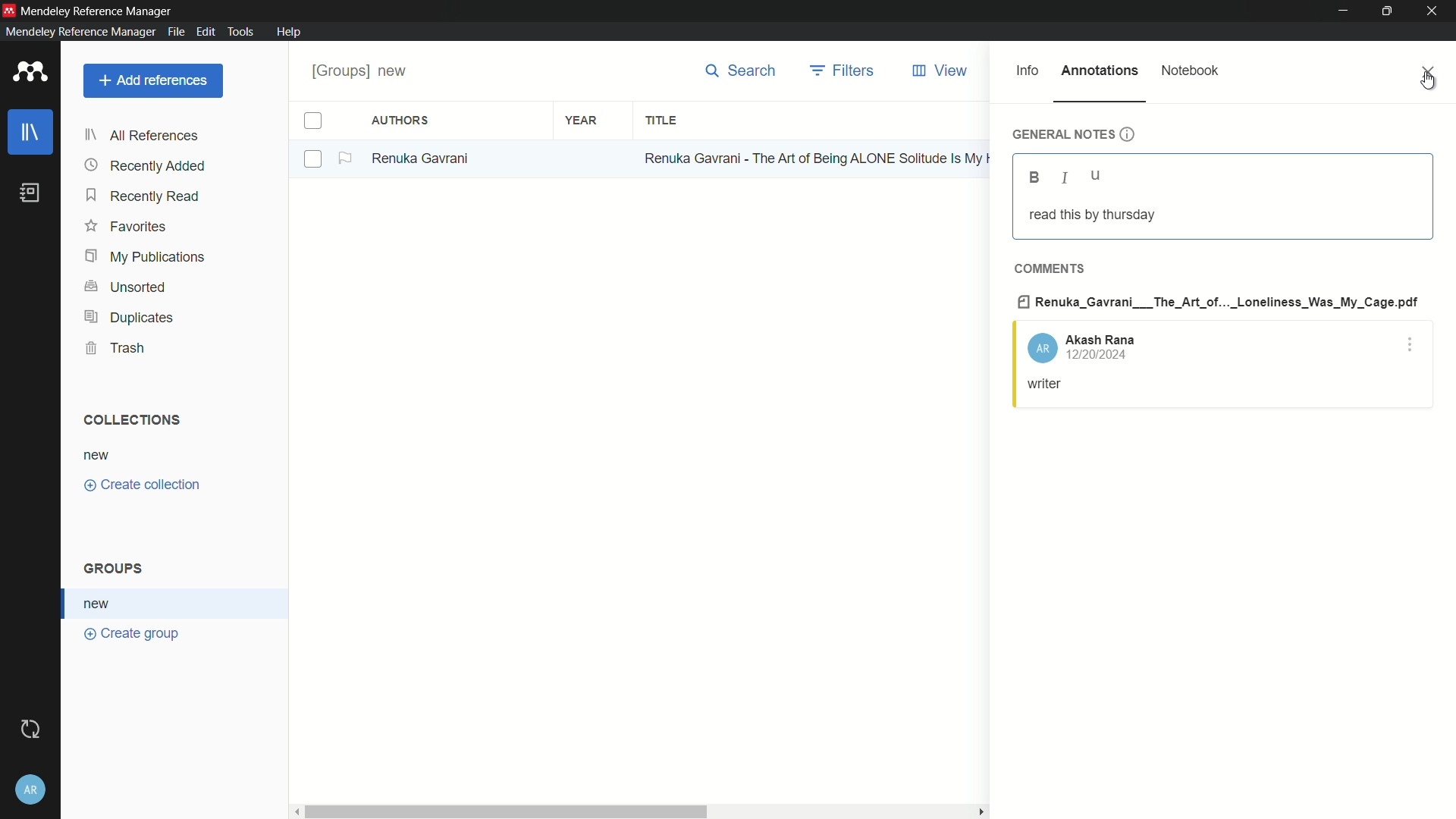 The height and width of the screenshot is (819, 1456). What do you see at coordinates (78, 32) in the screenshot?
I see `mendeley reference manager` at bounding box center [78, 32].